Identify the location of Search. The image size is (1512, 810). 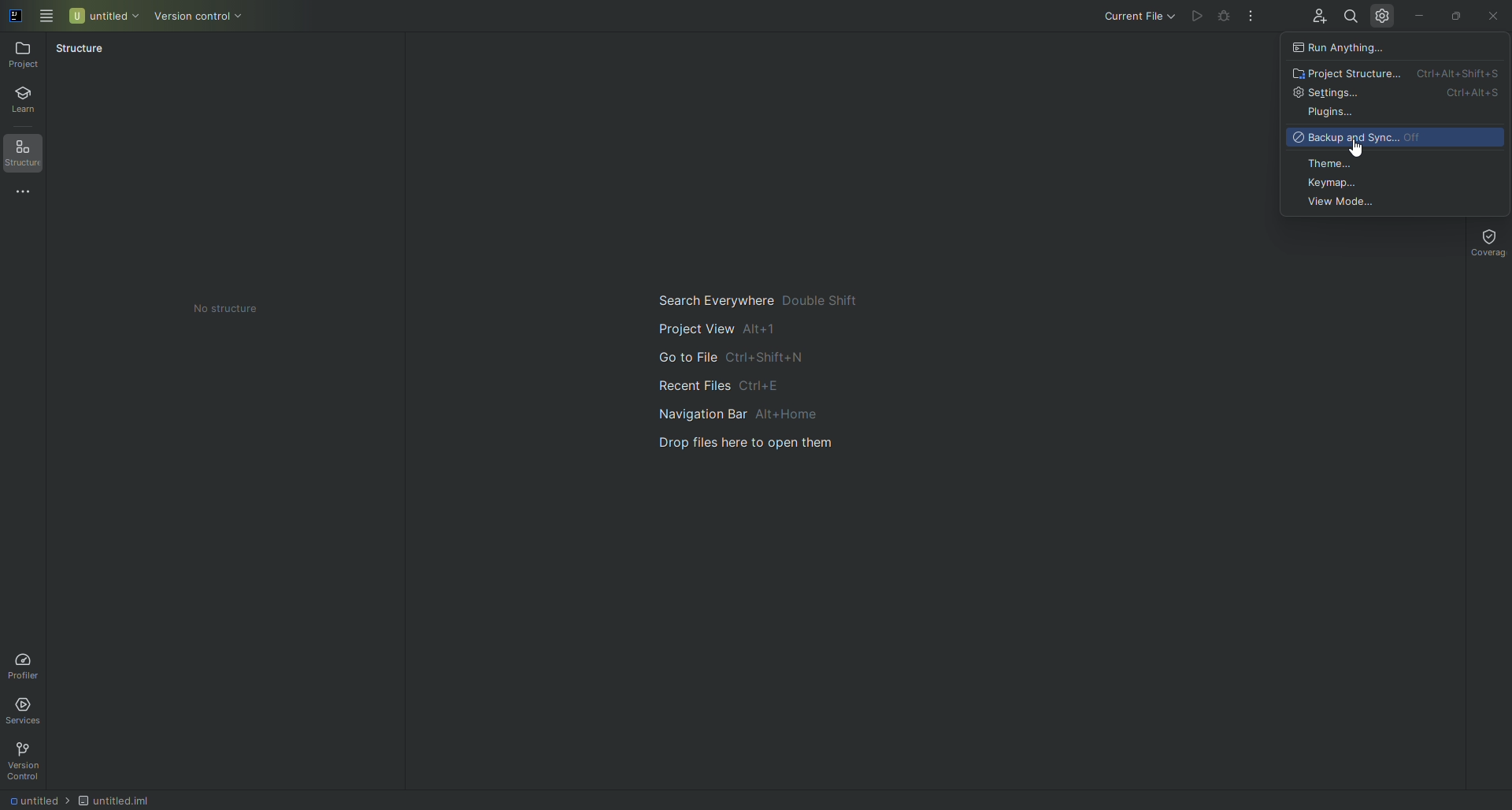
(1349, 14).